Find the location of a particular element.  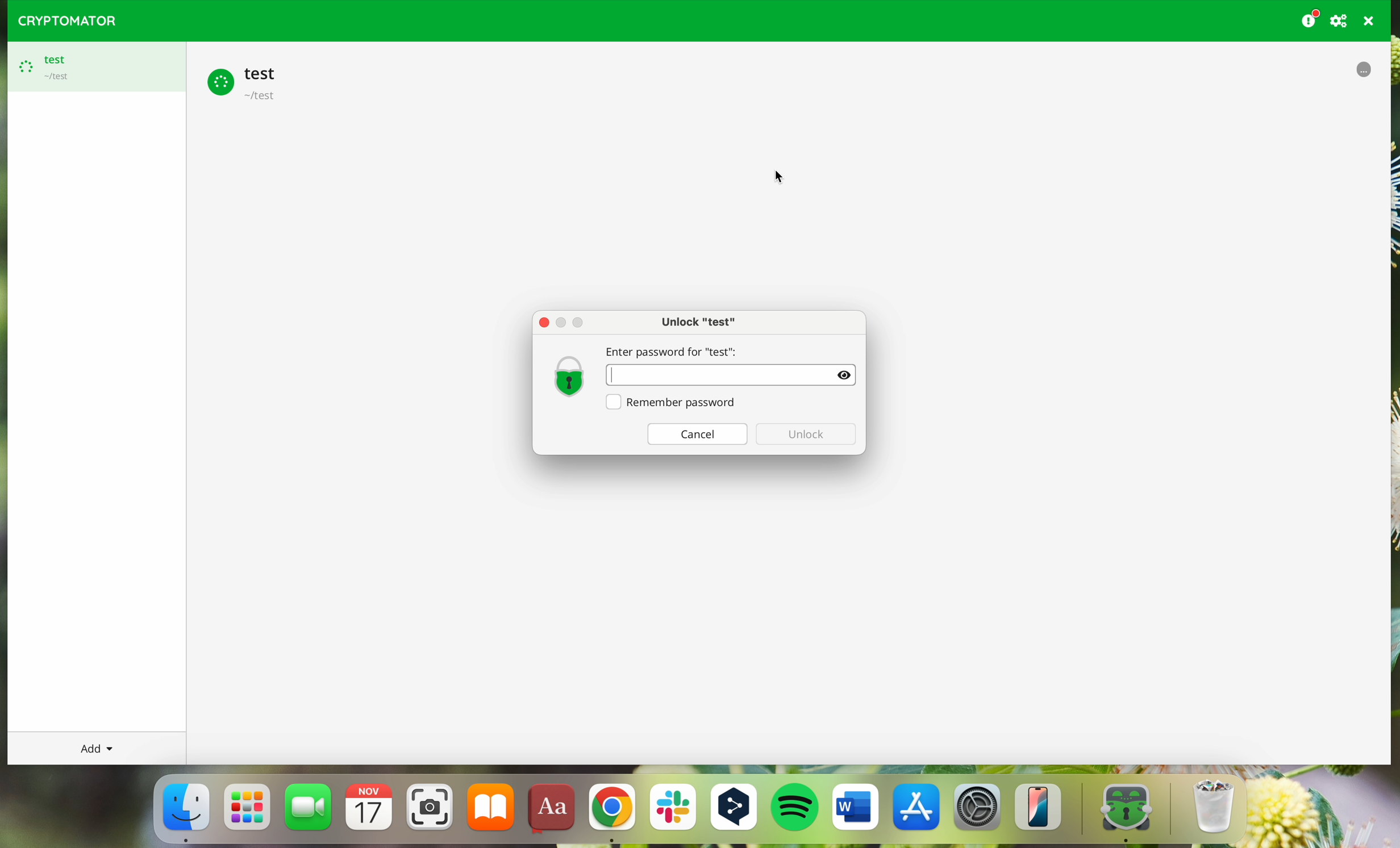

cryptomator app is located at coordinates (1118, 811).